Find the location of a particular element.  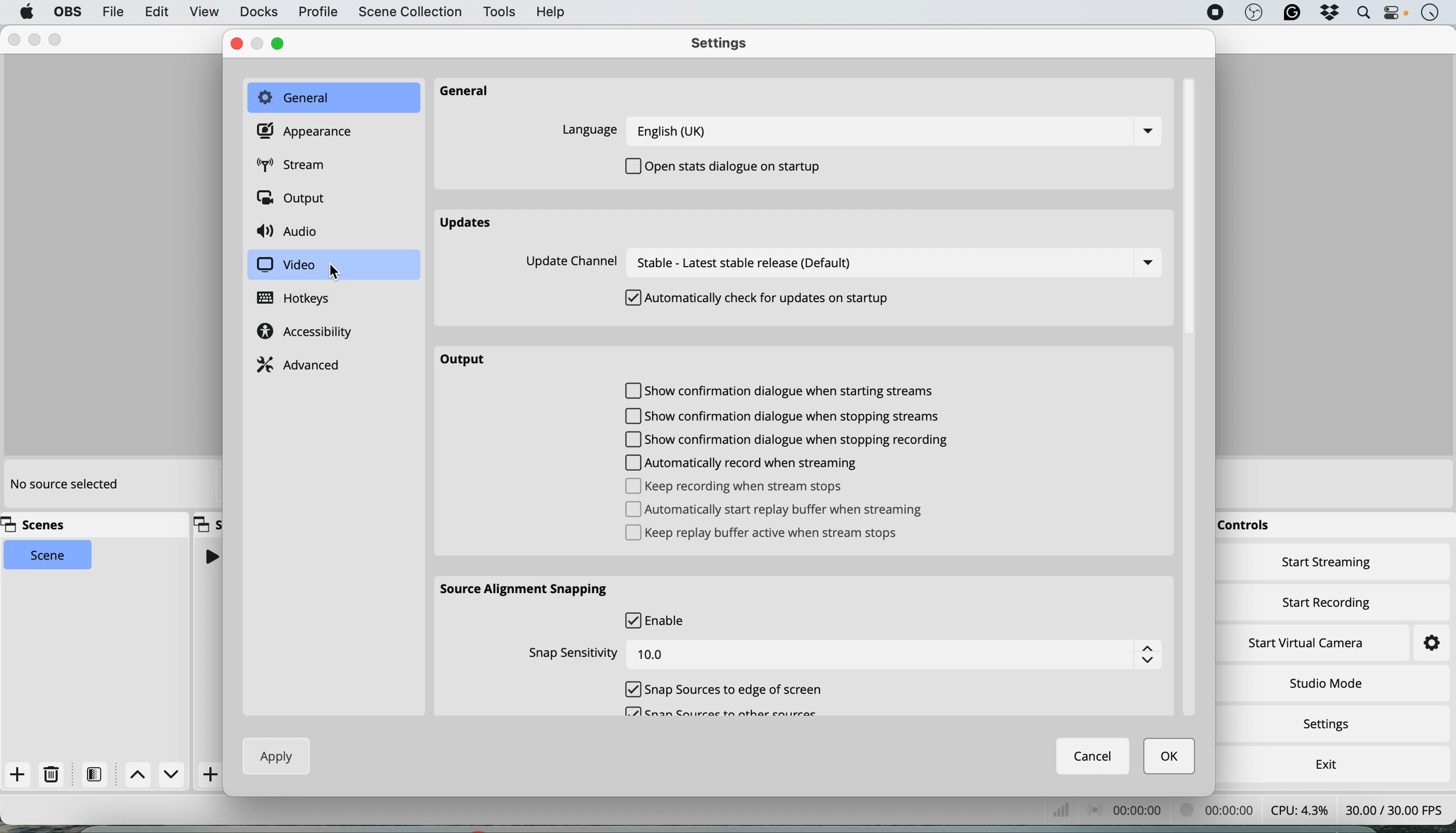

updates is located at coordinates (469, 224).